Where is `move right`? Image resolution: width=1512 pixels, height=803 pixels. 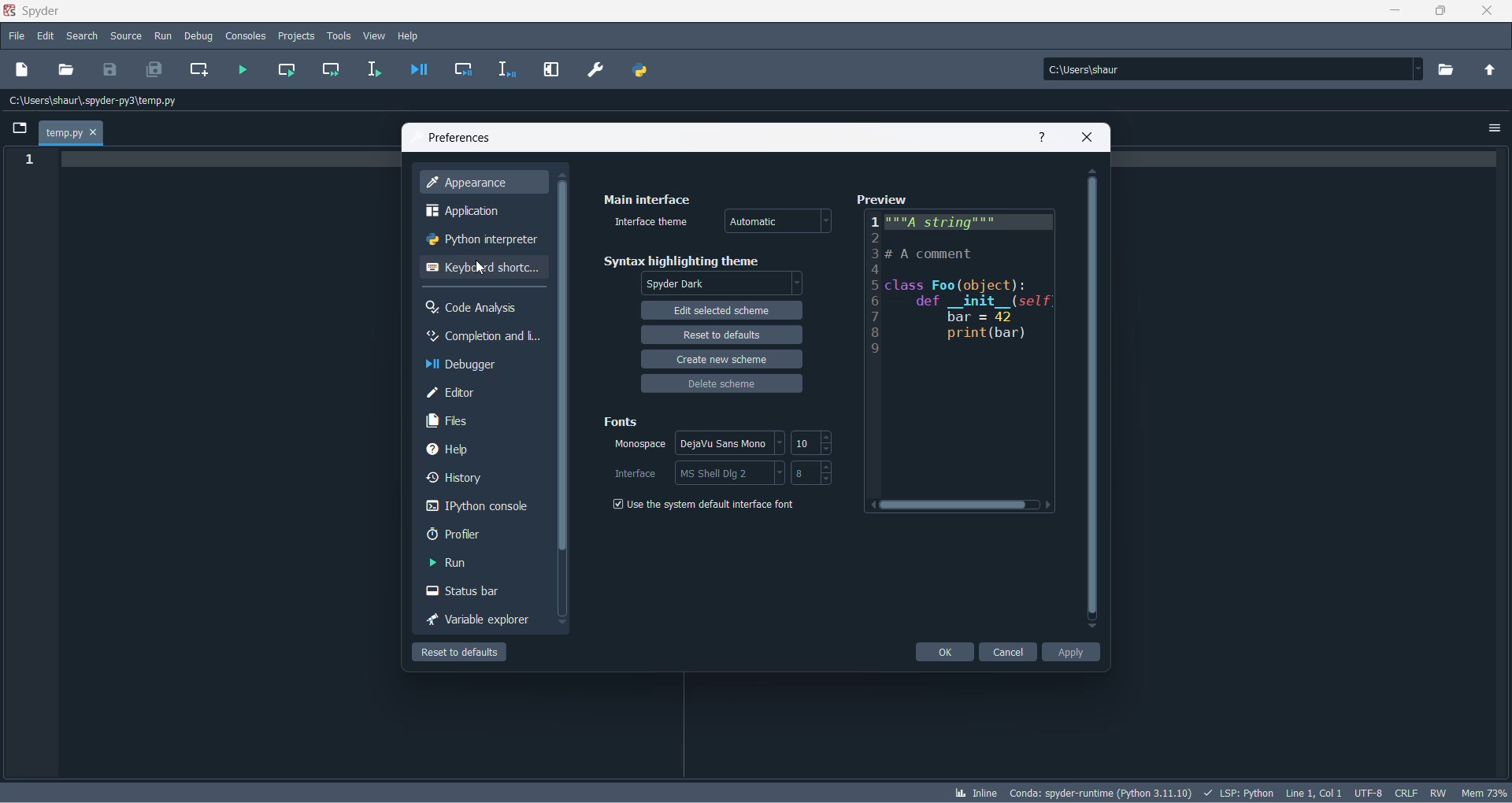 move right is located at coordinates (1048, 505).